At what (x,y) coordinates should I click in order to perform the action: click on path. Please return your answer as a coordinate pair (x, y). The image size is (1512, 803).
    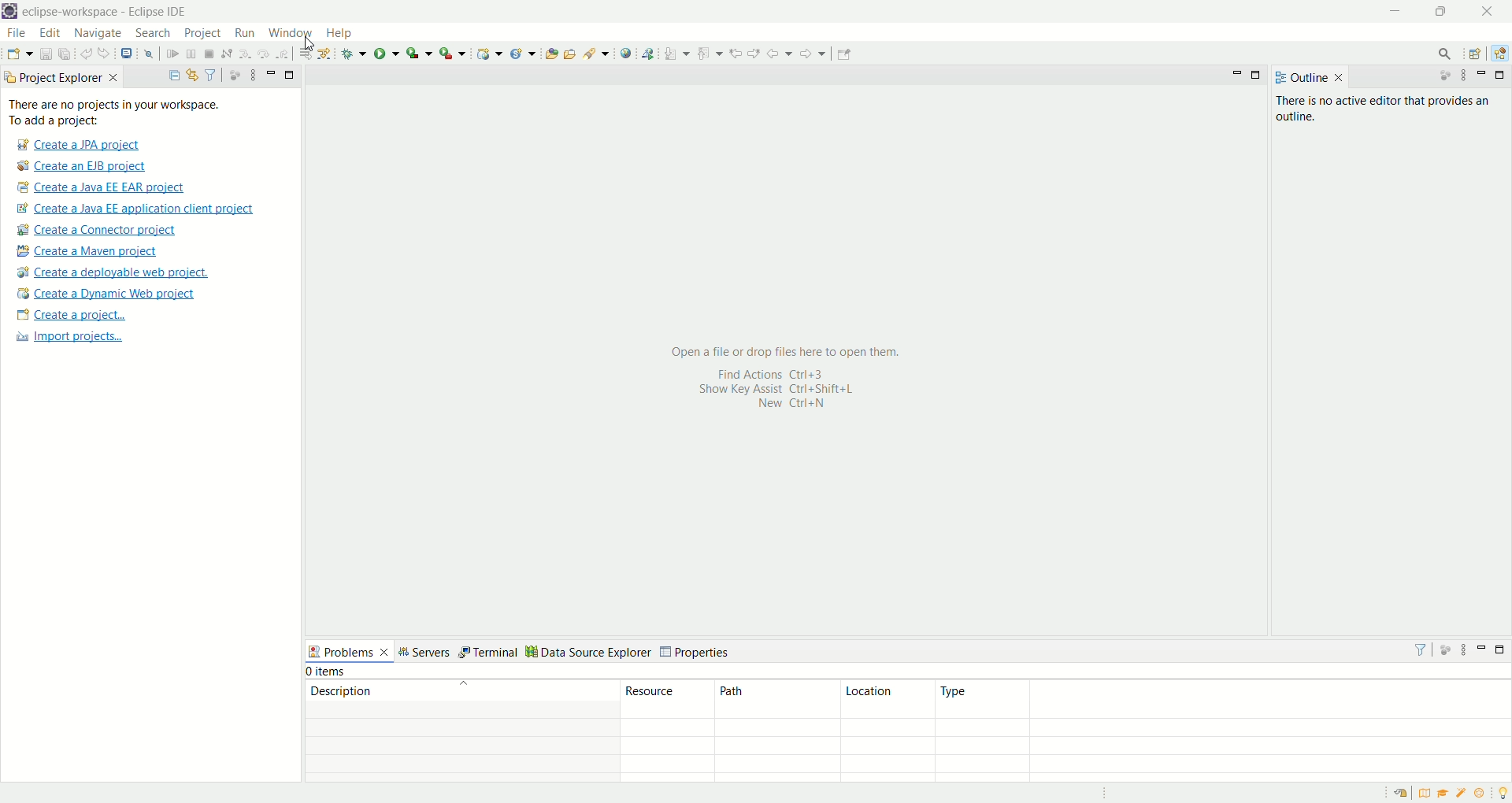
    Looking at the image, I should click on (777, 698).